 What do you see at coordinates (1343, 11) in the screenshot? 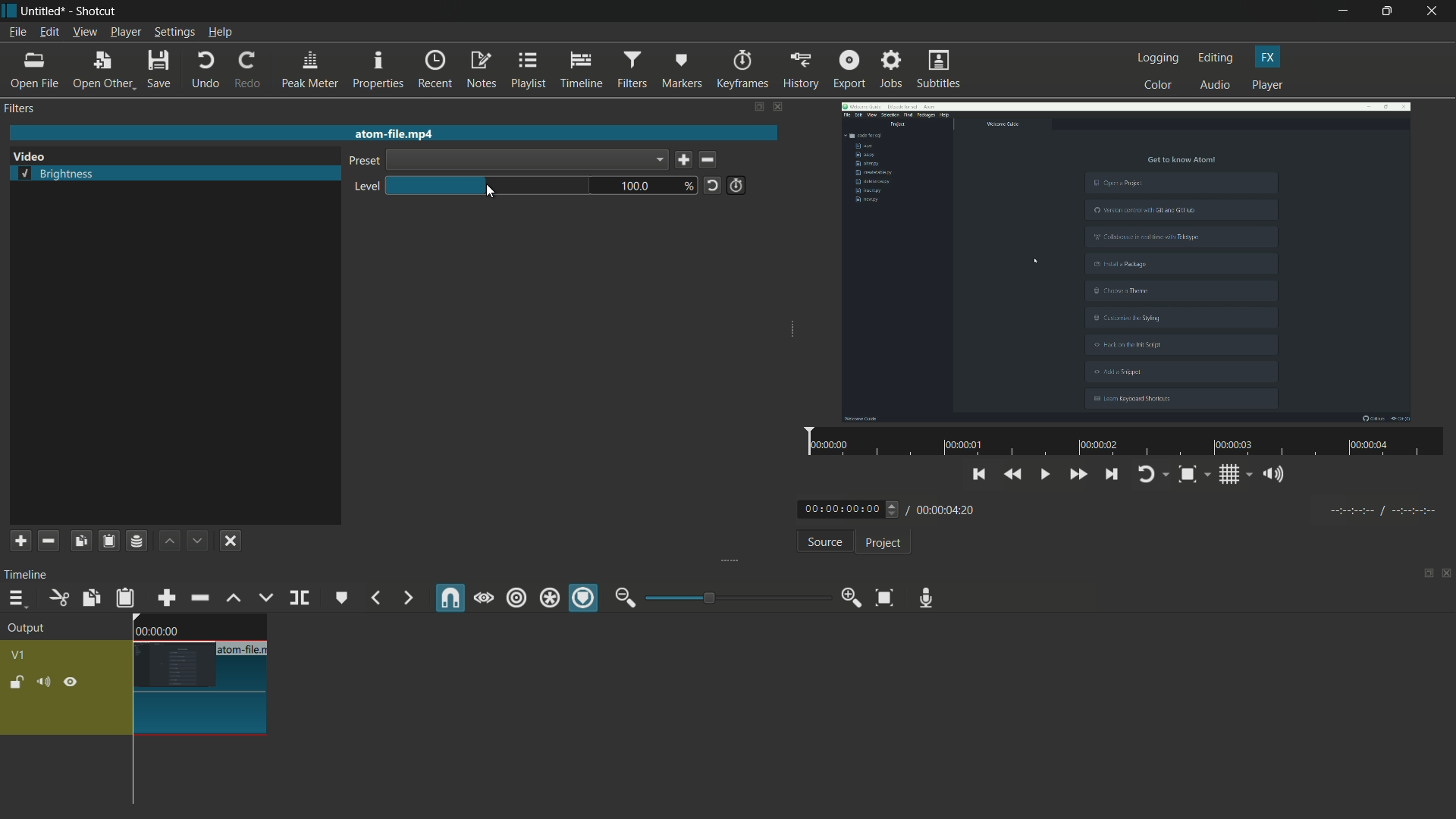
I see `minimize` at bounding box center [1343, 11].